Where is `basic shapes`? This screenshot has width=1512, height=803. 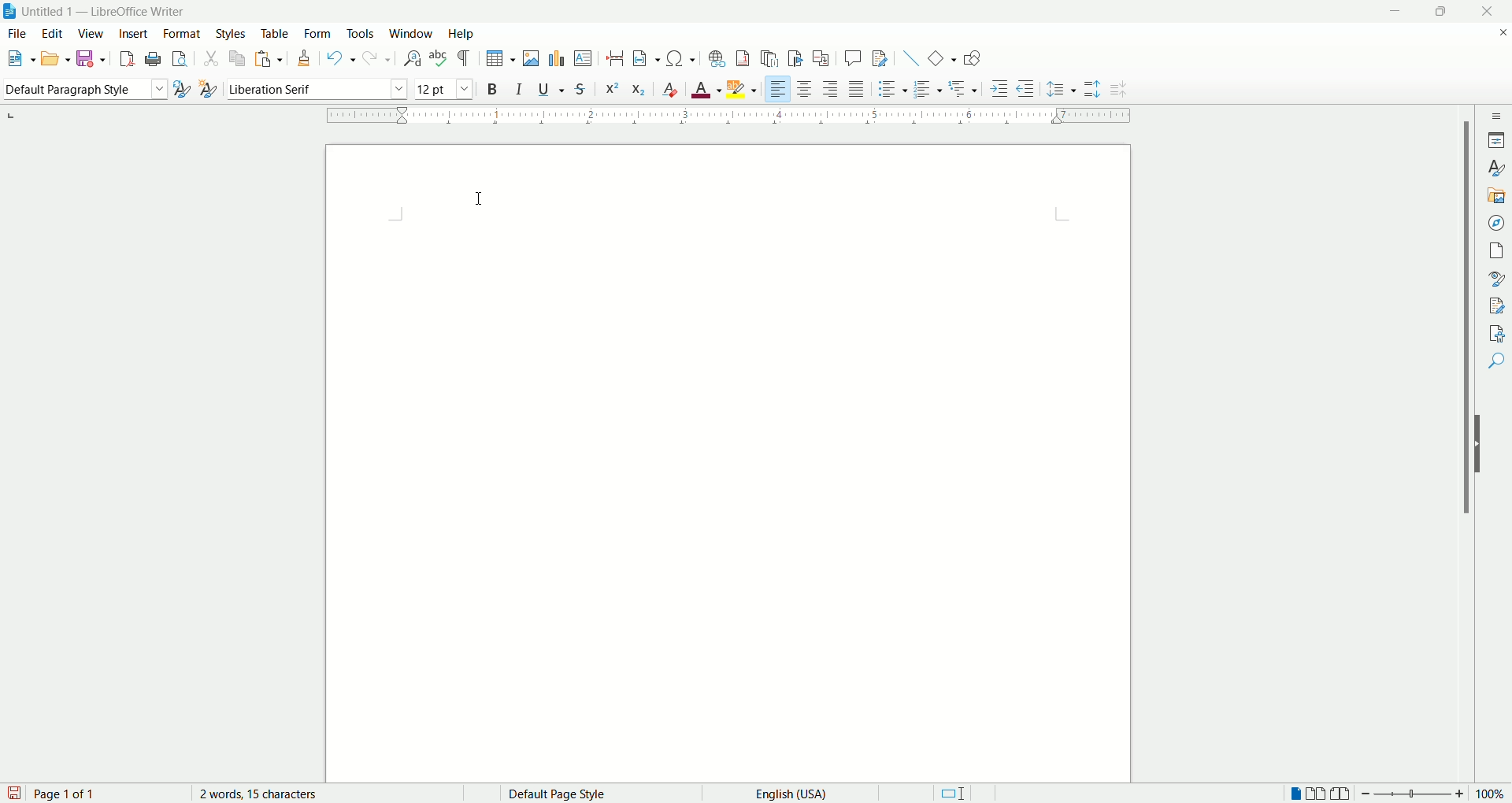
basic shapes is located at coordinates (939, 59).